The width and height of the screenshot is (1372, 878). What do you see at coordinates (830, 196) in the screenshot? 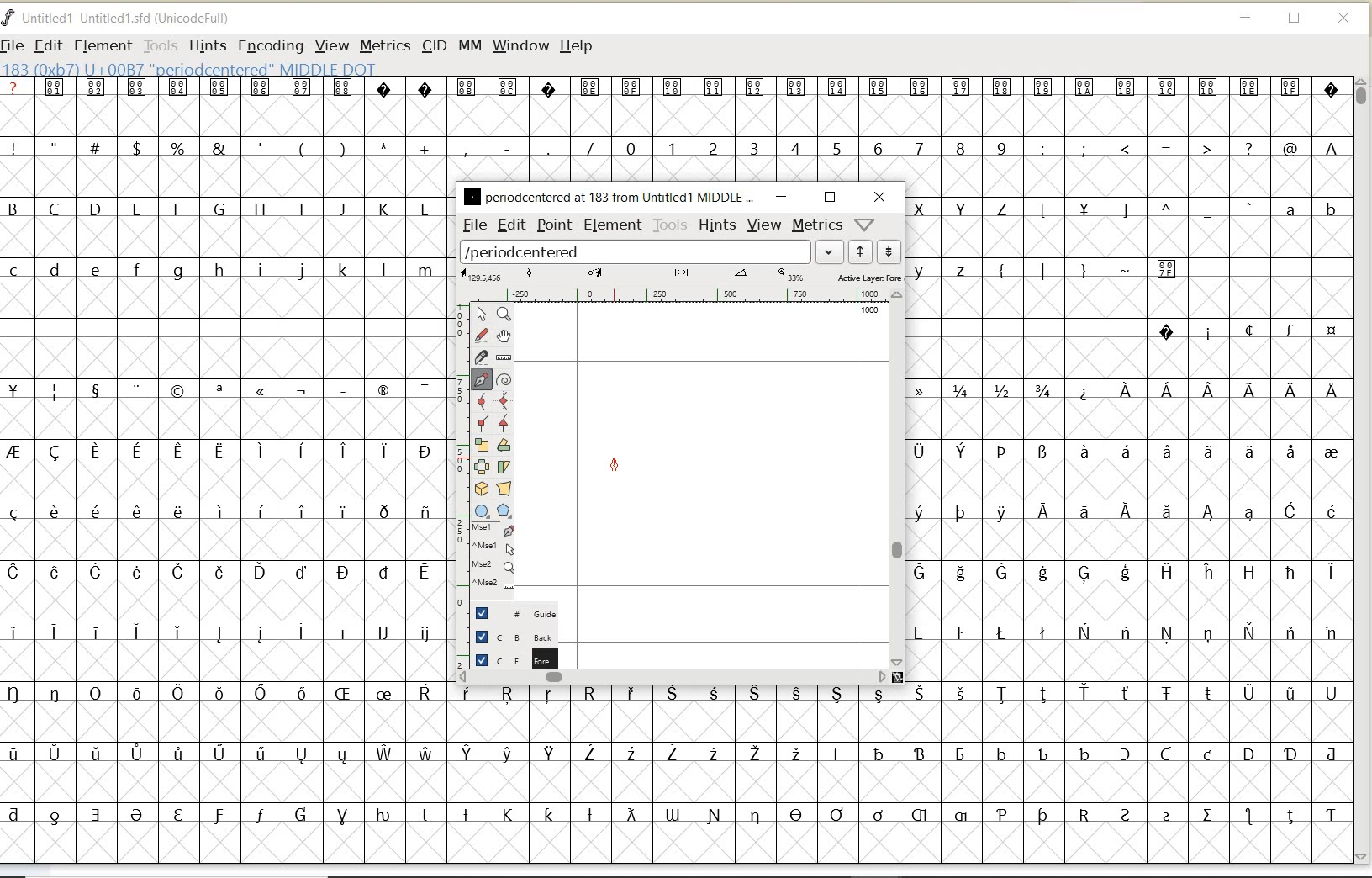
I see `restore` at bounding box center [830, 196].